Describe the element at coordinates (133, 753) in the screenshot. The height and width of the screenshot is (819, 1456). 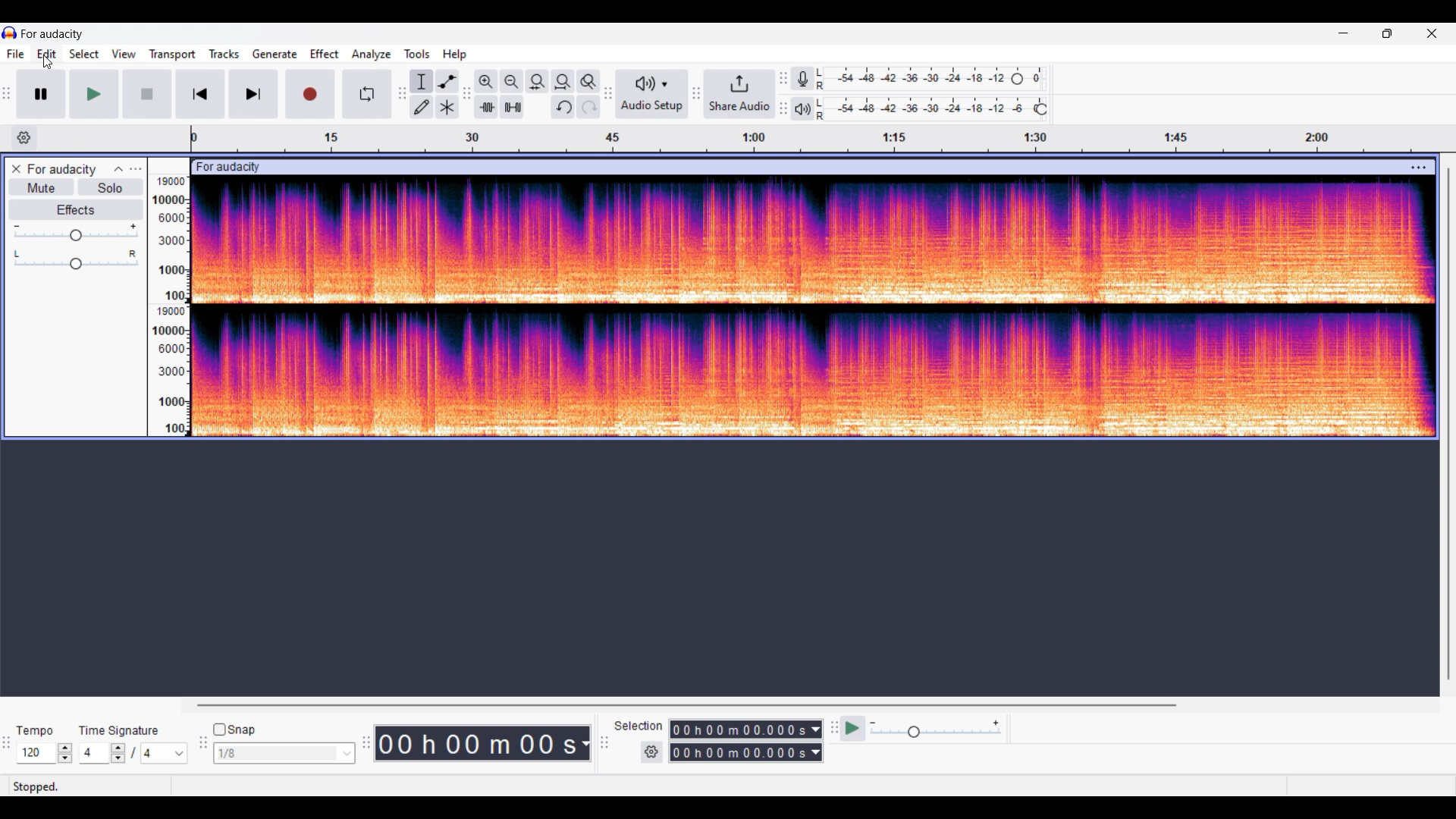
I see `Time signature settings` at that location.